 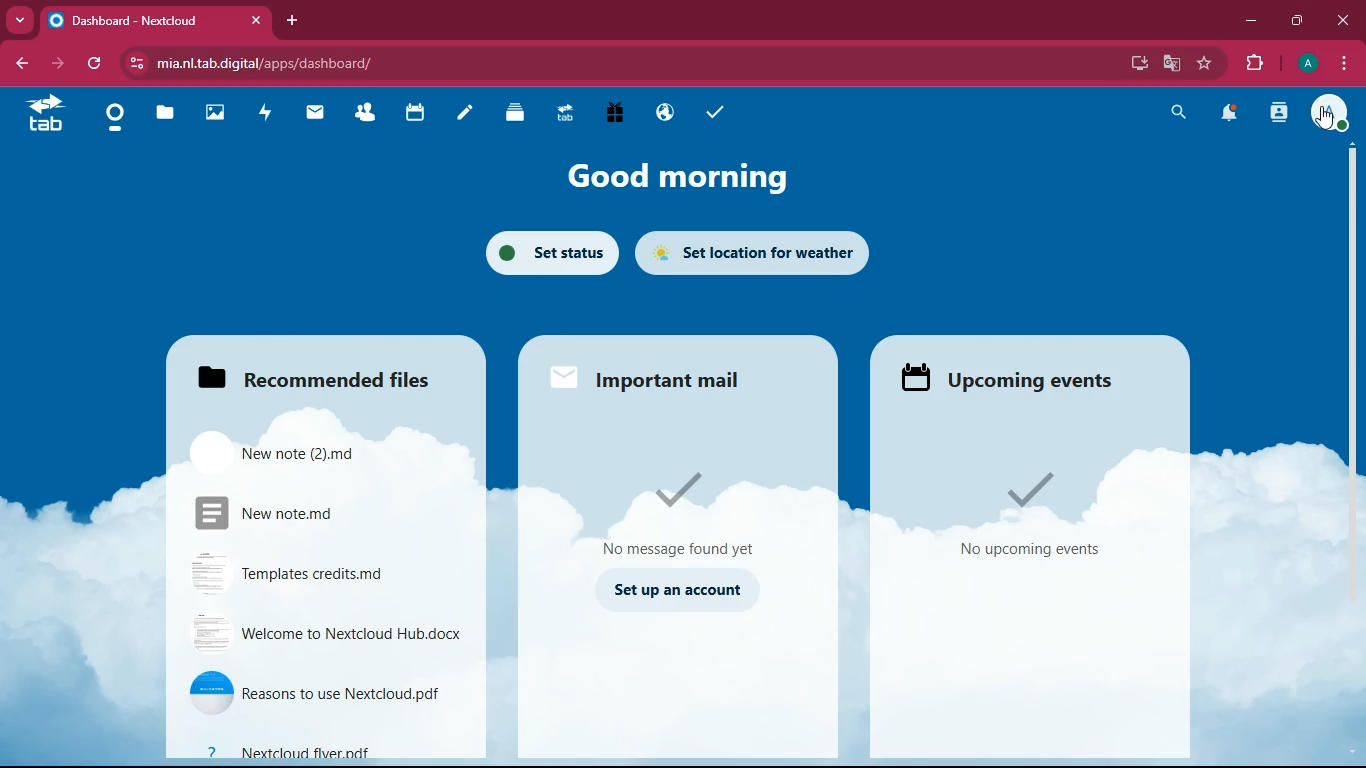 What do you see at coordinates (1003, 377) in the screenshot?
I see `events` at bounding box center [1003, 377].